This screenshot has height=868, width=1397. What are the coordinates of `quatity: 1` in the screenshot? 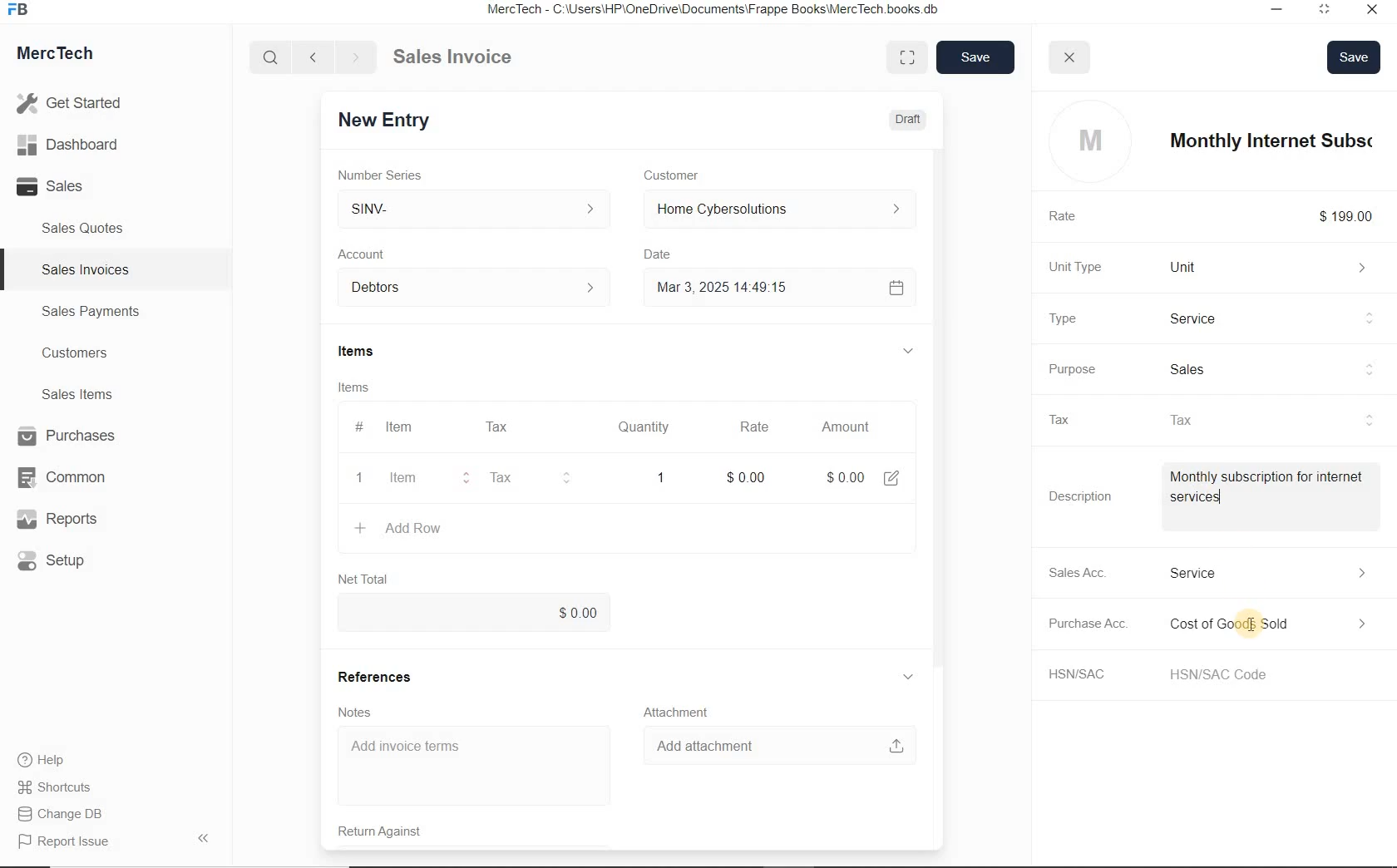 It's located at (652, 476).